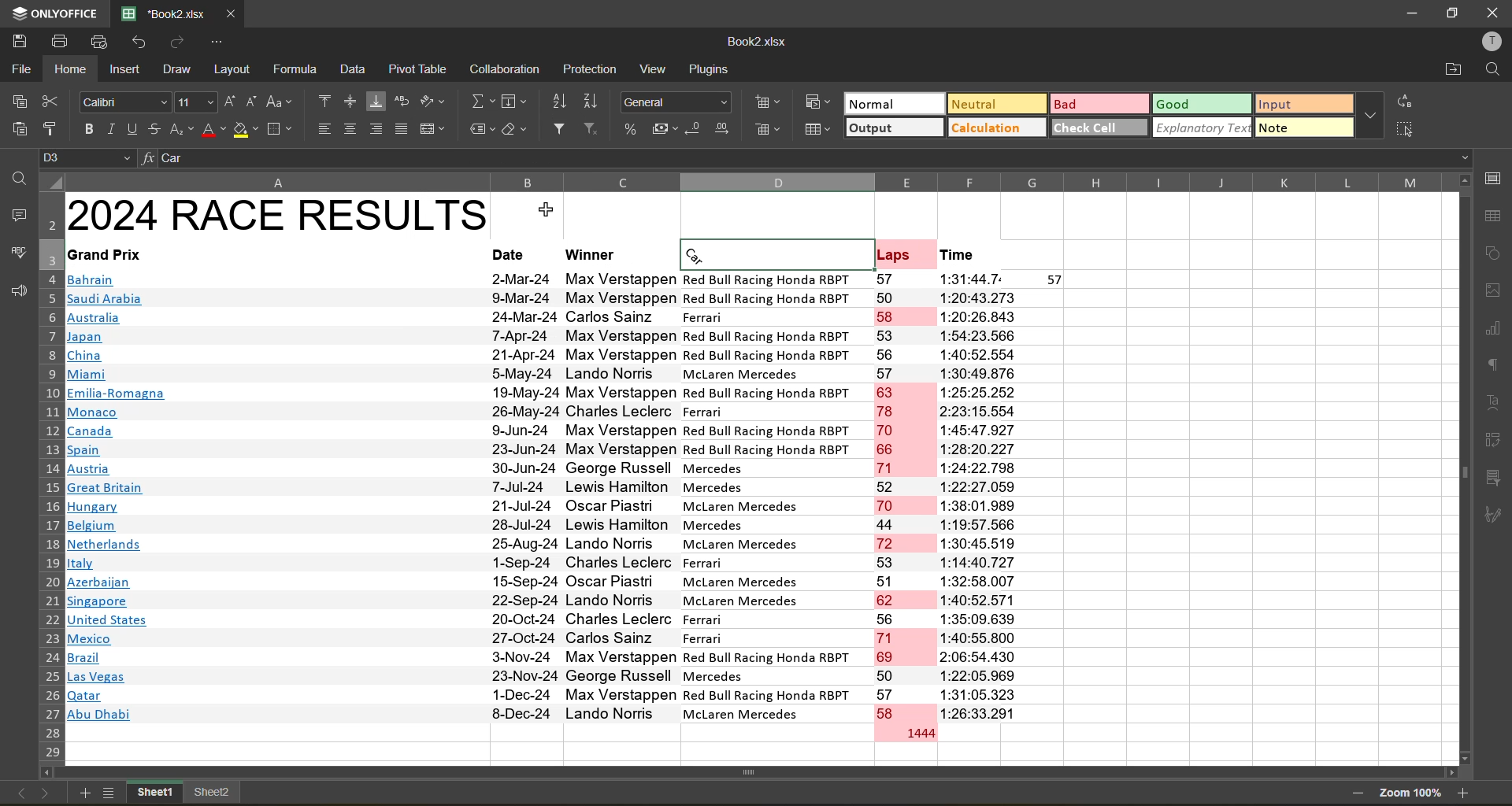  What do you see at coordinates (322, 101) in the screenshot?
I see `align top` at bounding box center [322, 101].